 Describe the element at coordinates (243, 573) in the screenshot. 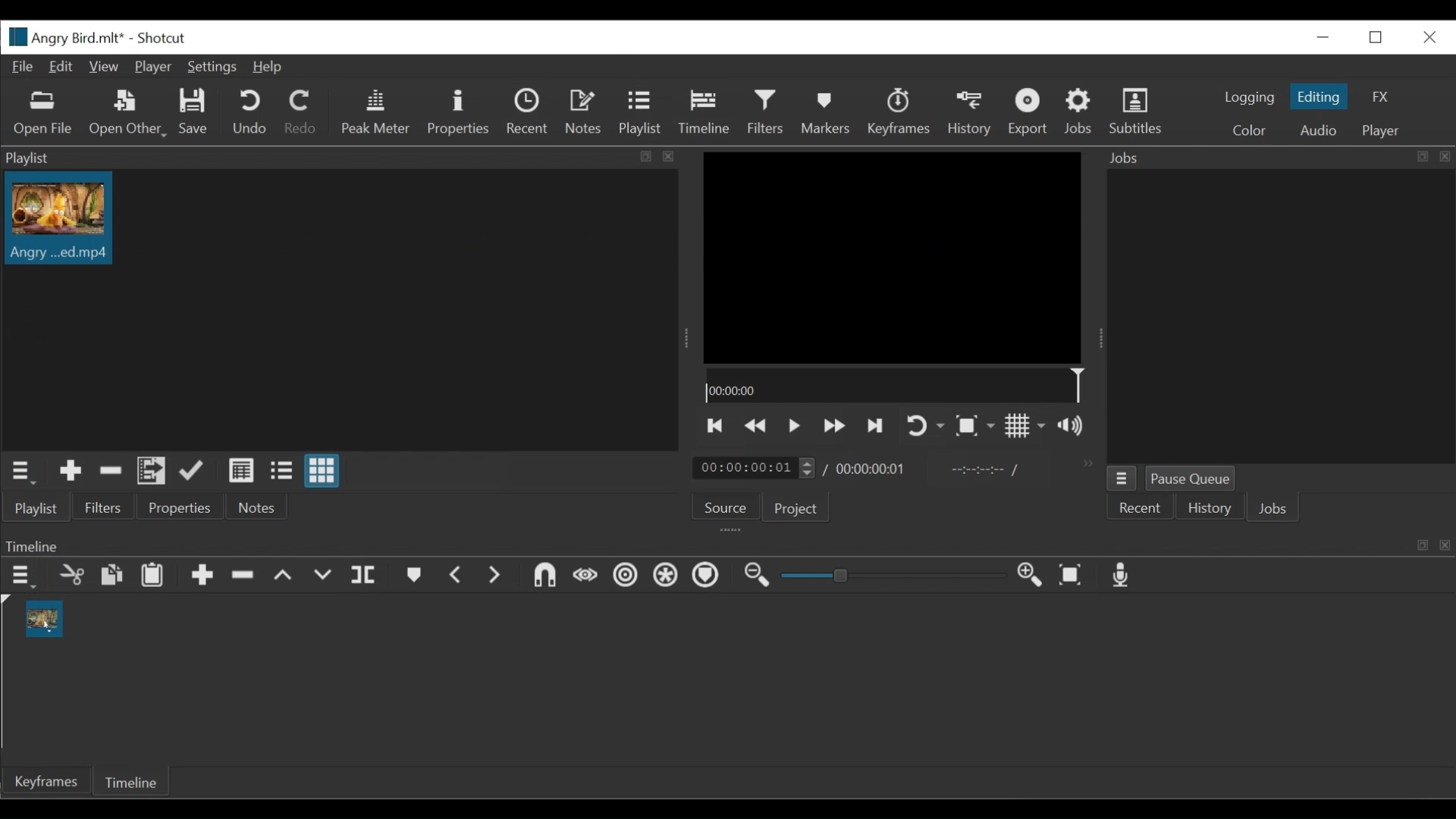

I see `Remove cut` at that location.